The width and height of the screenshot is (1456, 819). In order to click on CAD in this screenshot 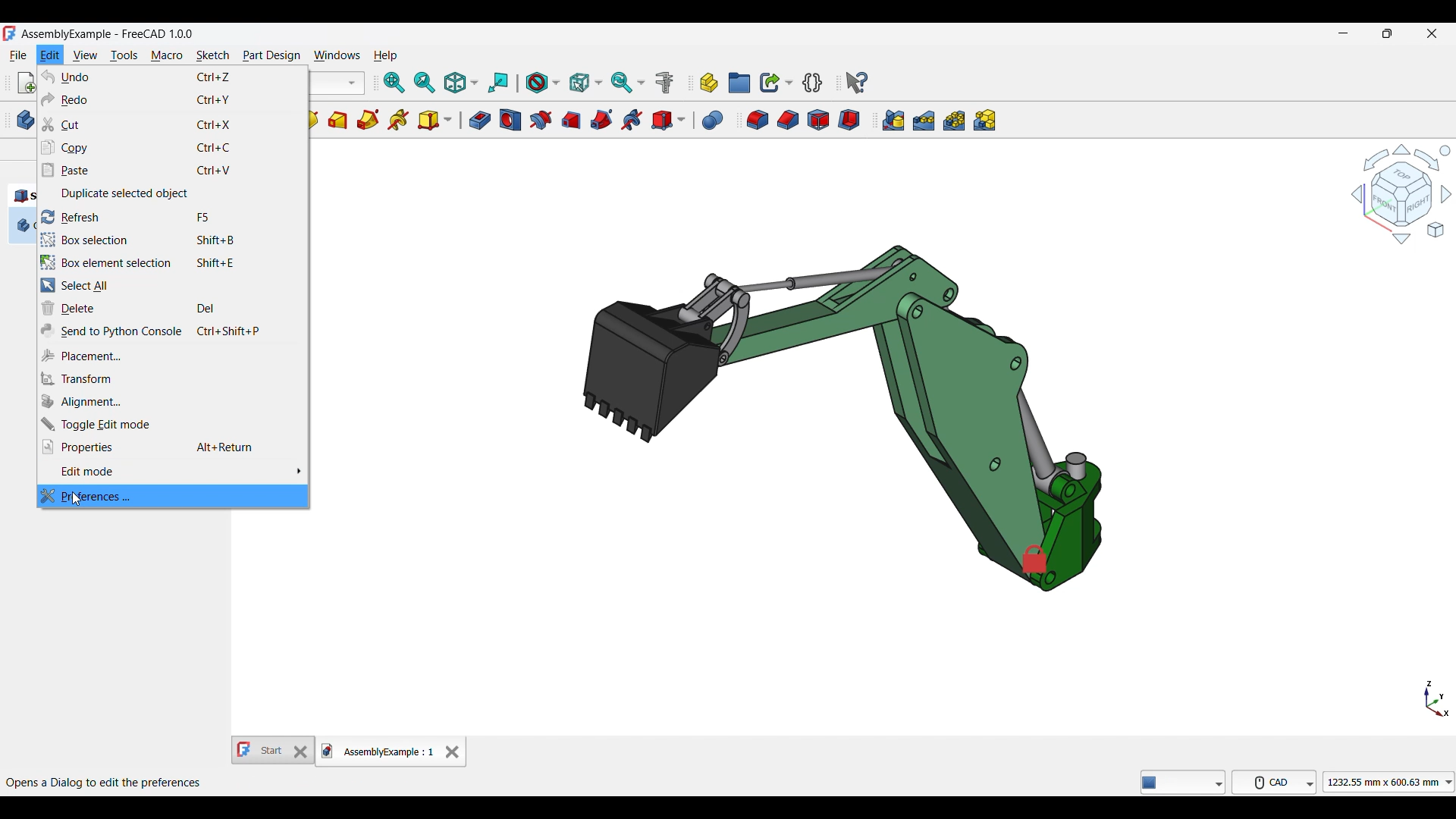, I will do `click(1277, 781)`.